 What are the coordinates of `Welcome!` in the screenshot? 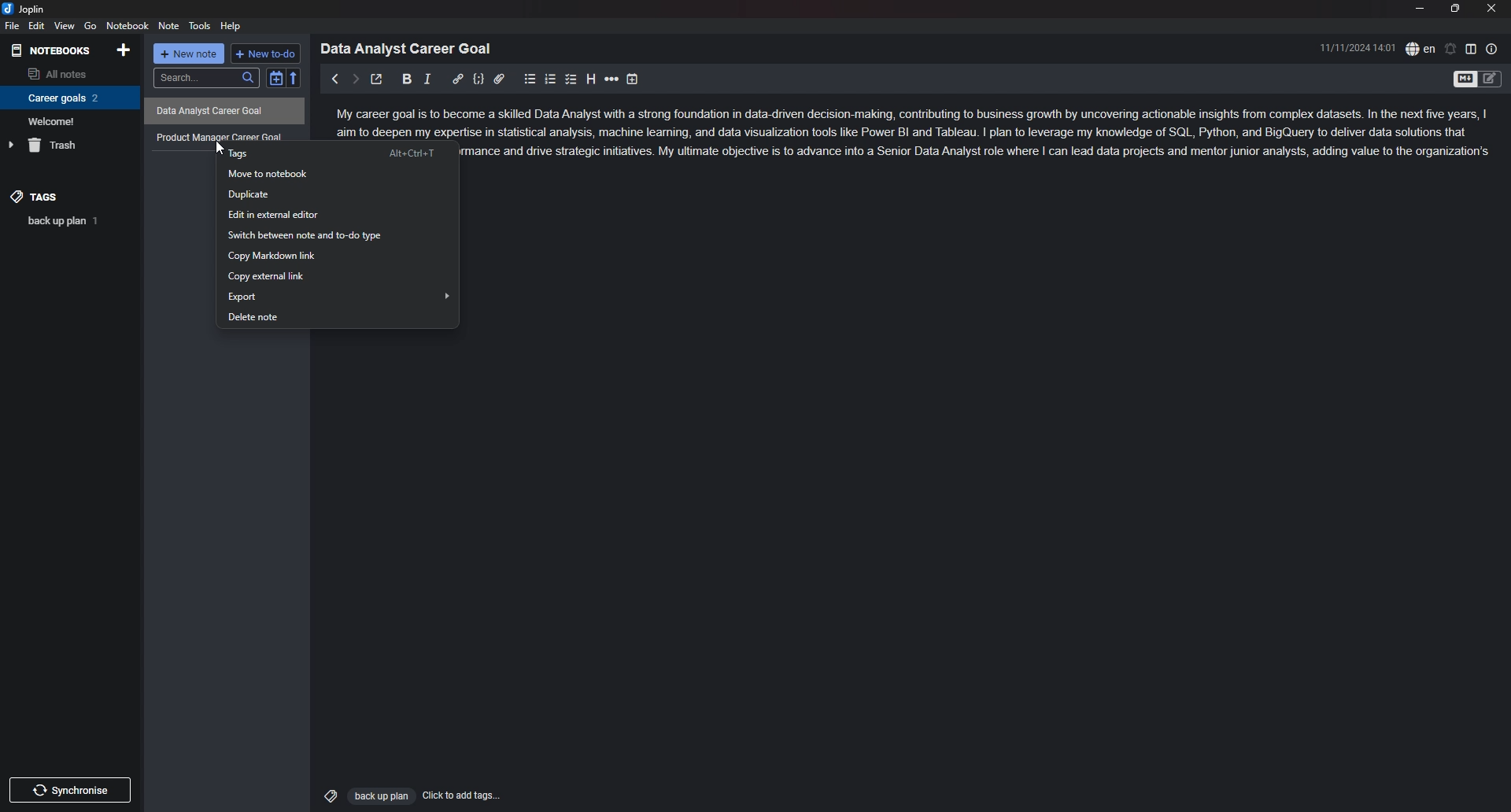 It's located at (66, 120).